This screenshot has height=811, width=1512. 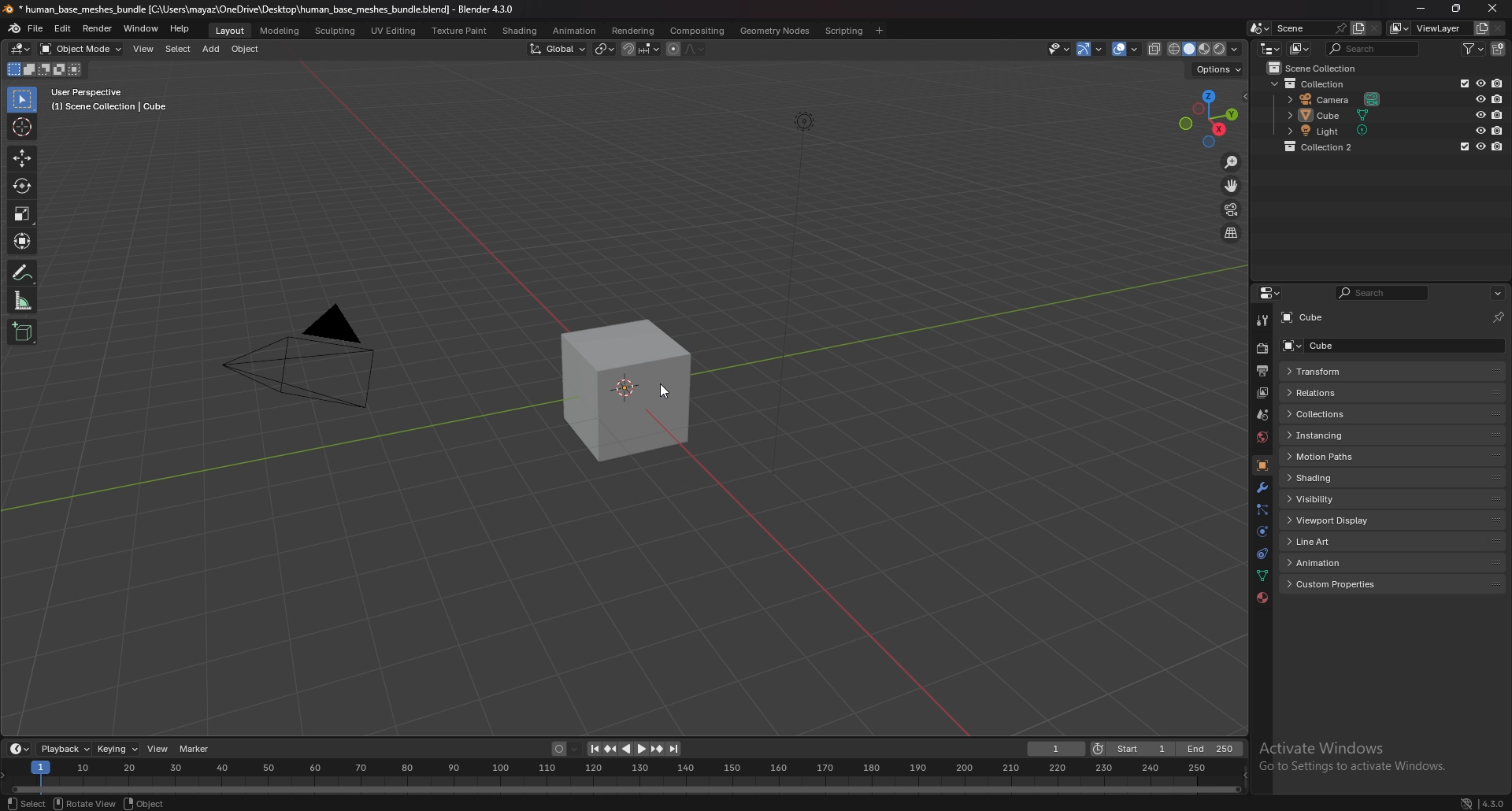 I want to click on exclude in viewport, so click(x=1462, y=83).